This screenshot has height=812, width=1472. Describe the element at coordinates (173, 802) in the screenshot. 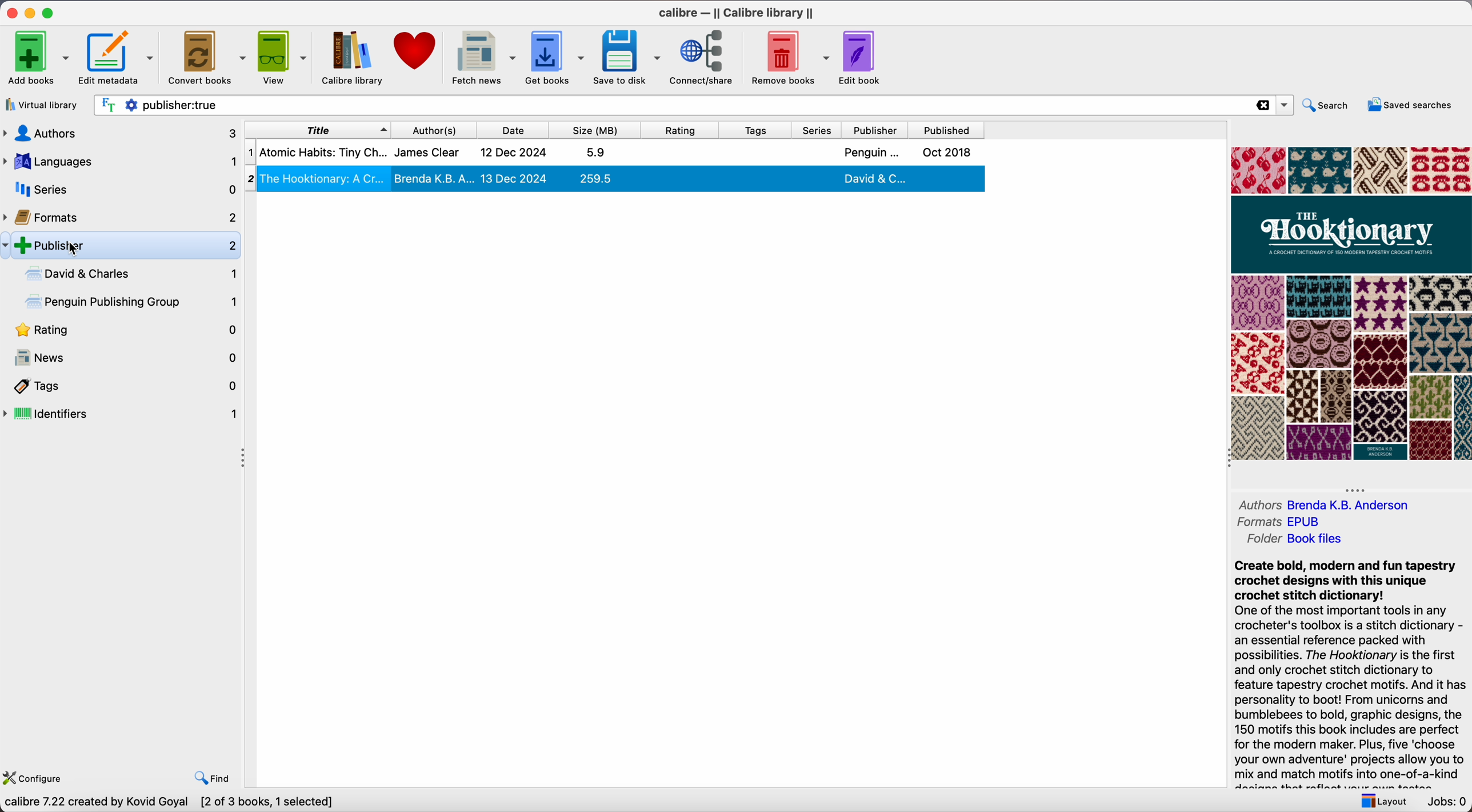

I see `calibre 7.22 created by Kovid Goyal [1 of 3 books, 1 selected]` at that location.